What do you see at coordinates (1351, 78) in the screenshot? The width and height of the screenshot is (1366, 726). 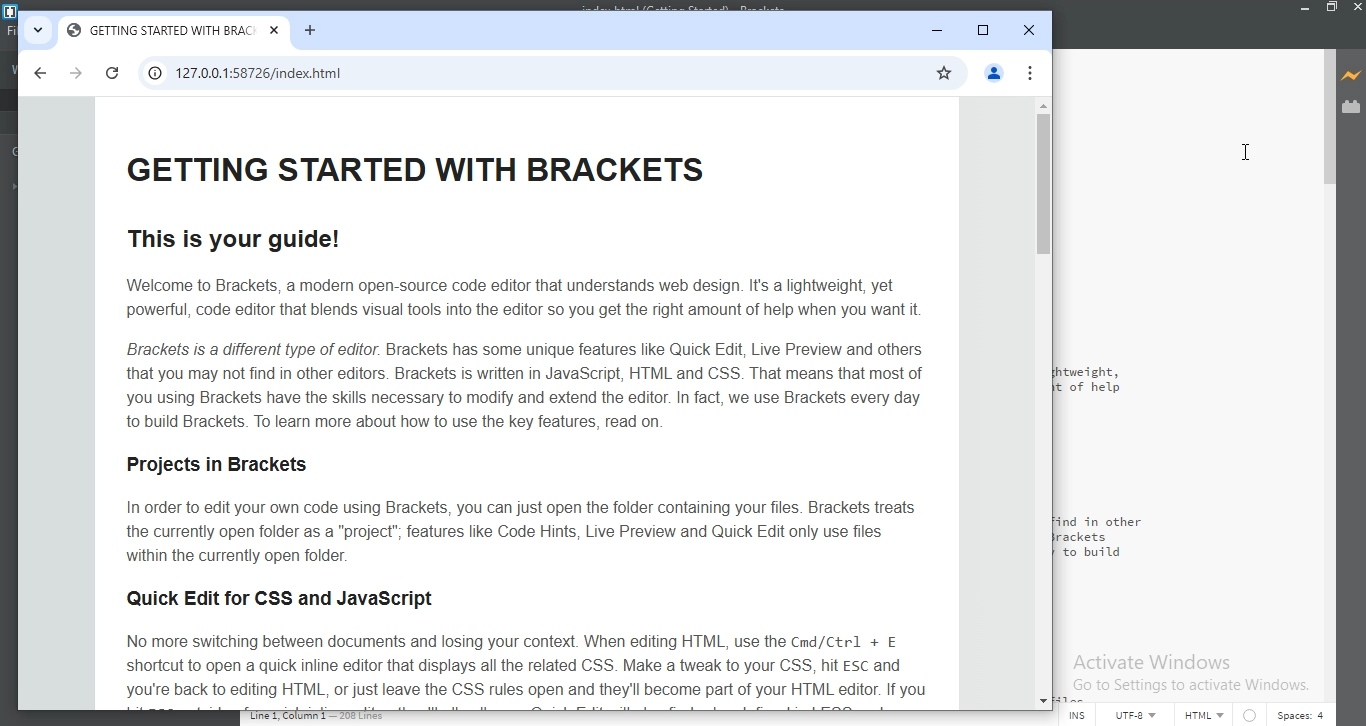 I see `live preview` at bounding box center [1351, 78].